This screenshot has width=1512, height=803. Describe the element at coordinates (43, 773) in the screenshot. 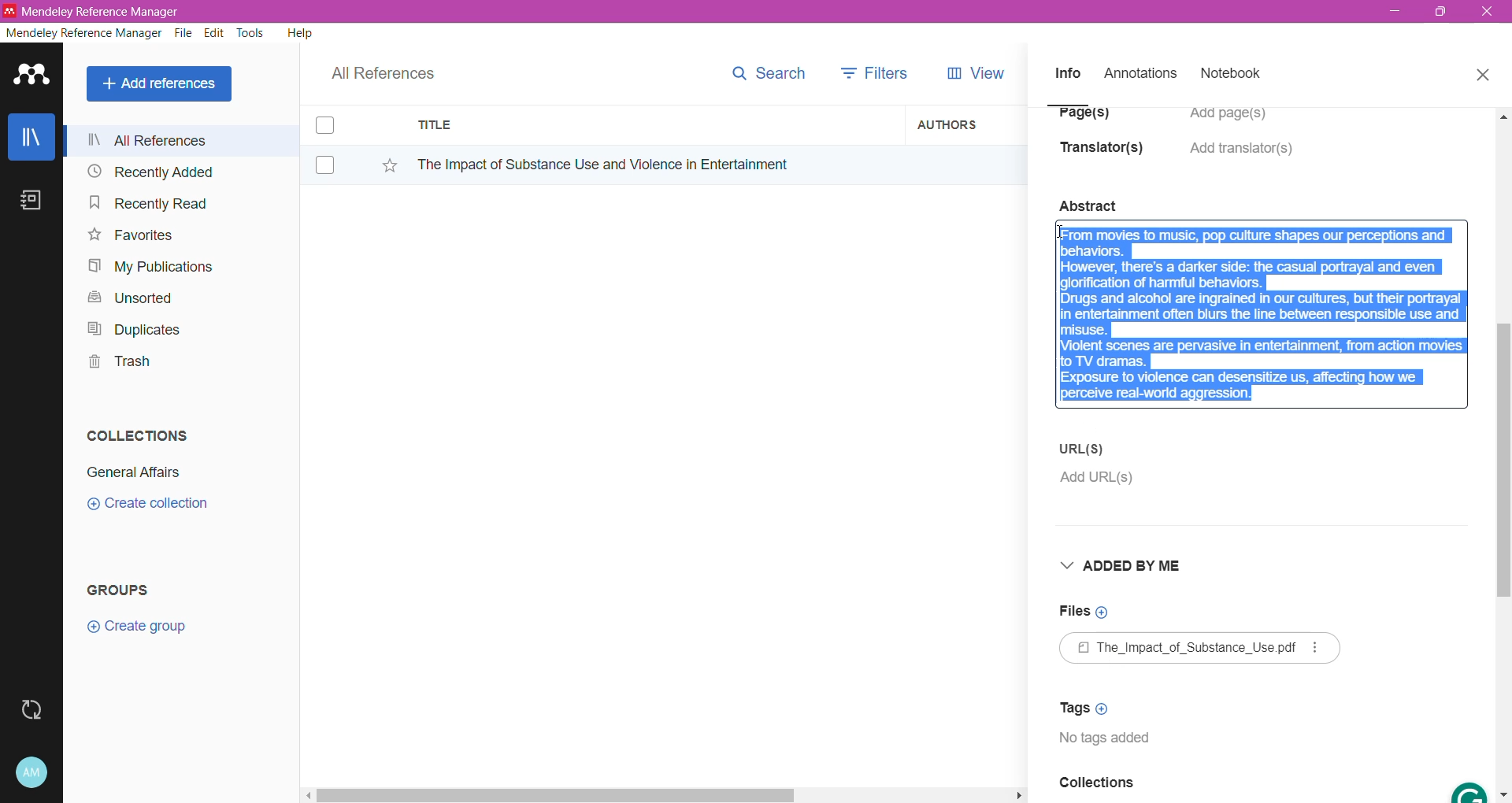

I see `Account and Help` at that location.